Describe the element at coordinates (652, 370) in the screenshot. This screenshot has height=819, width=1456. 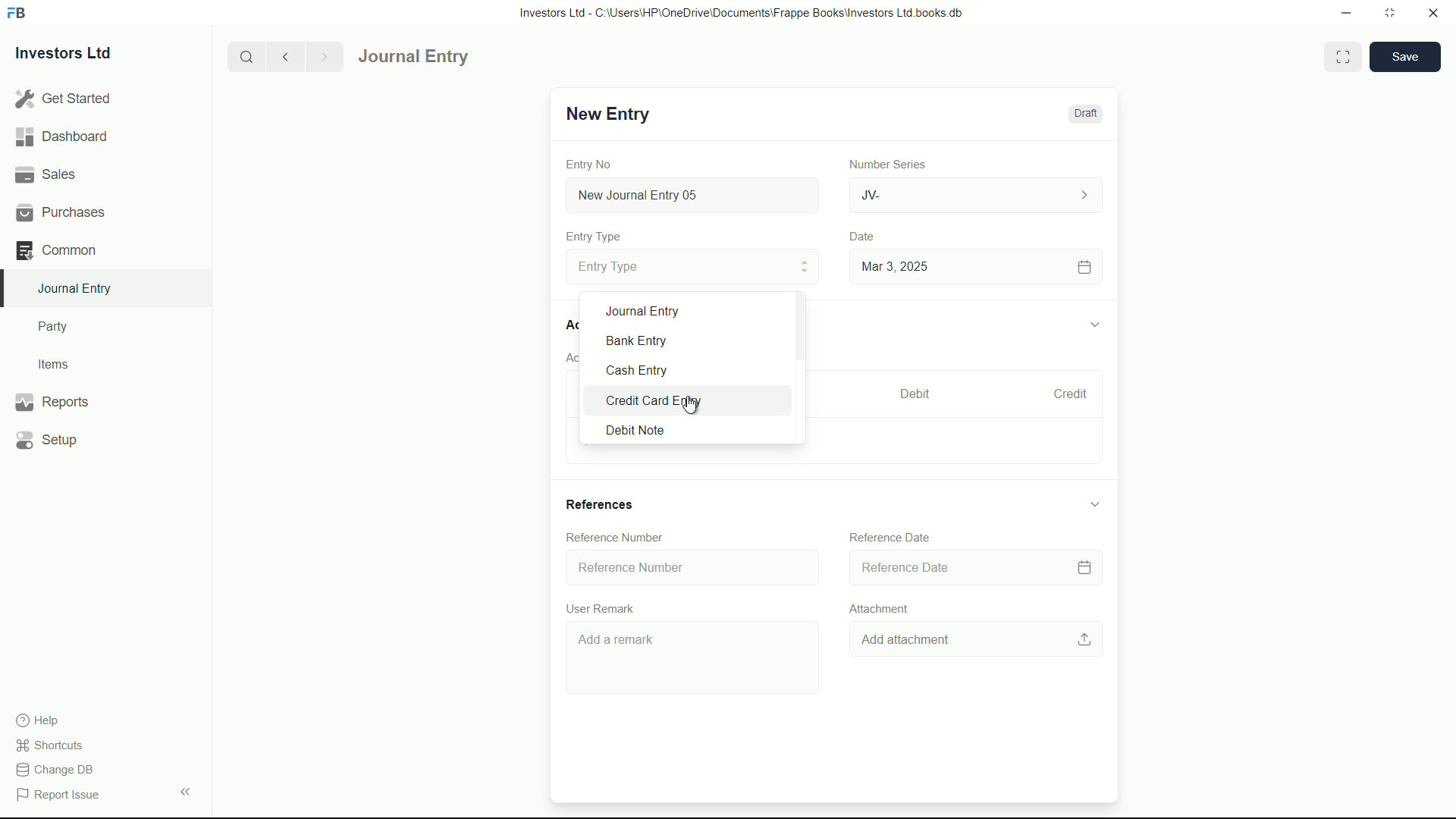
I see `Cash Entry` at that location.